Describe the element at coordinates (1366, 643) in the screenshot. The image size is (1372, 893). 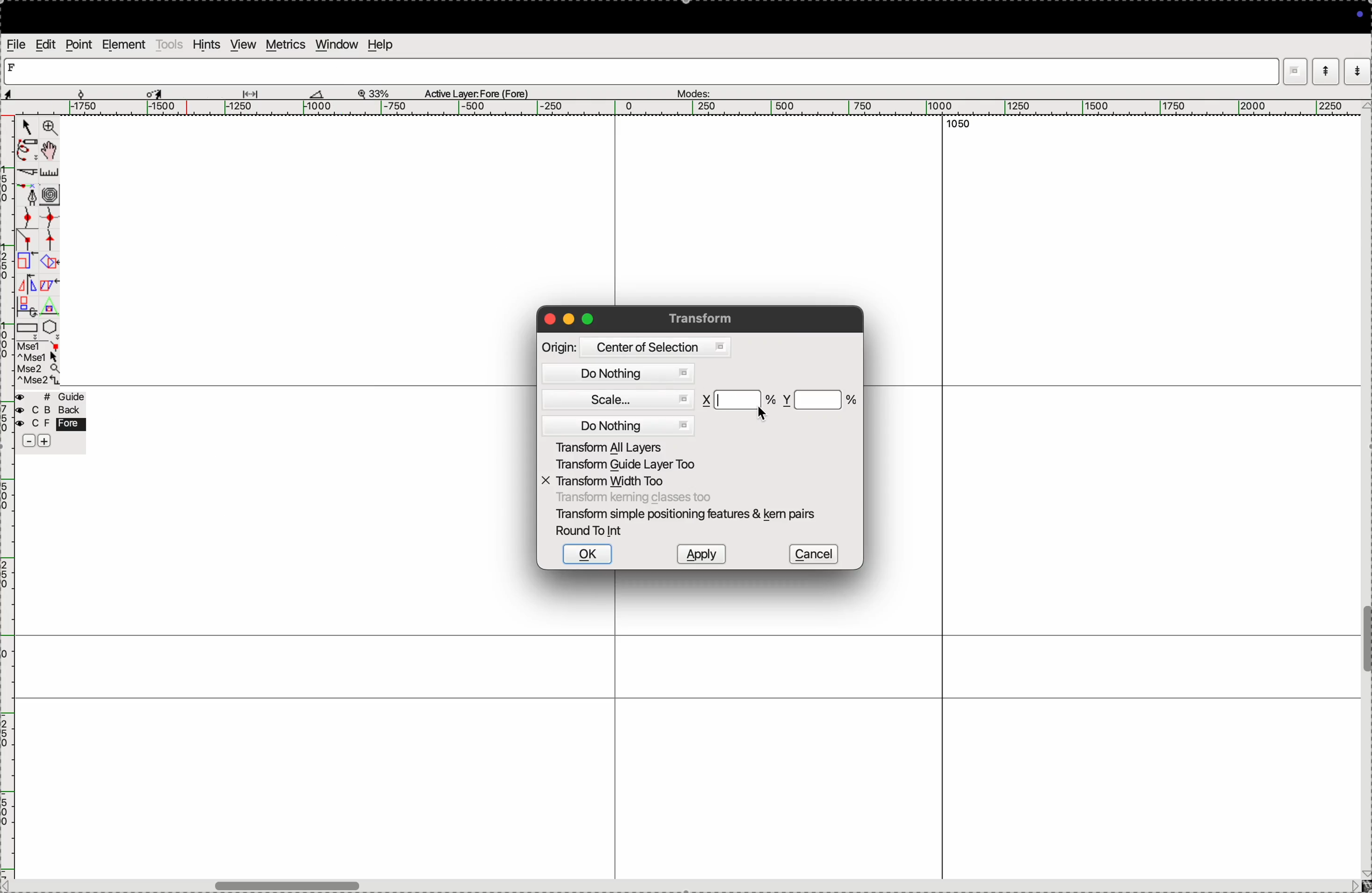
I see `toogle` at that location.